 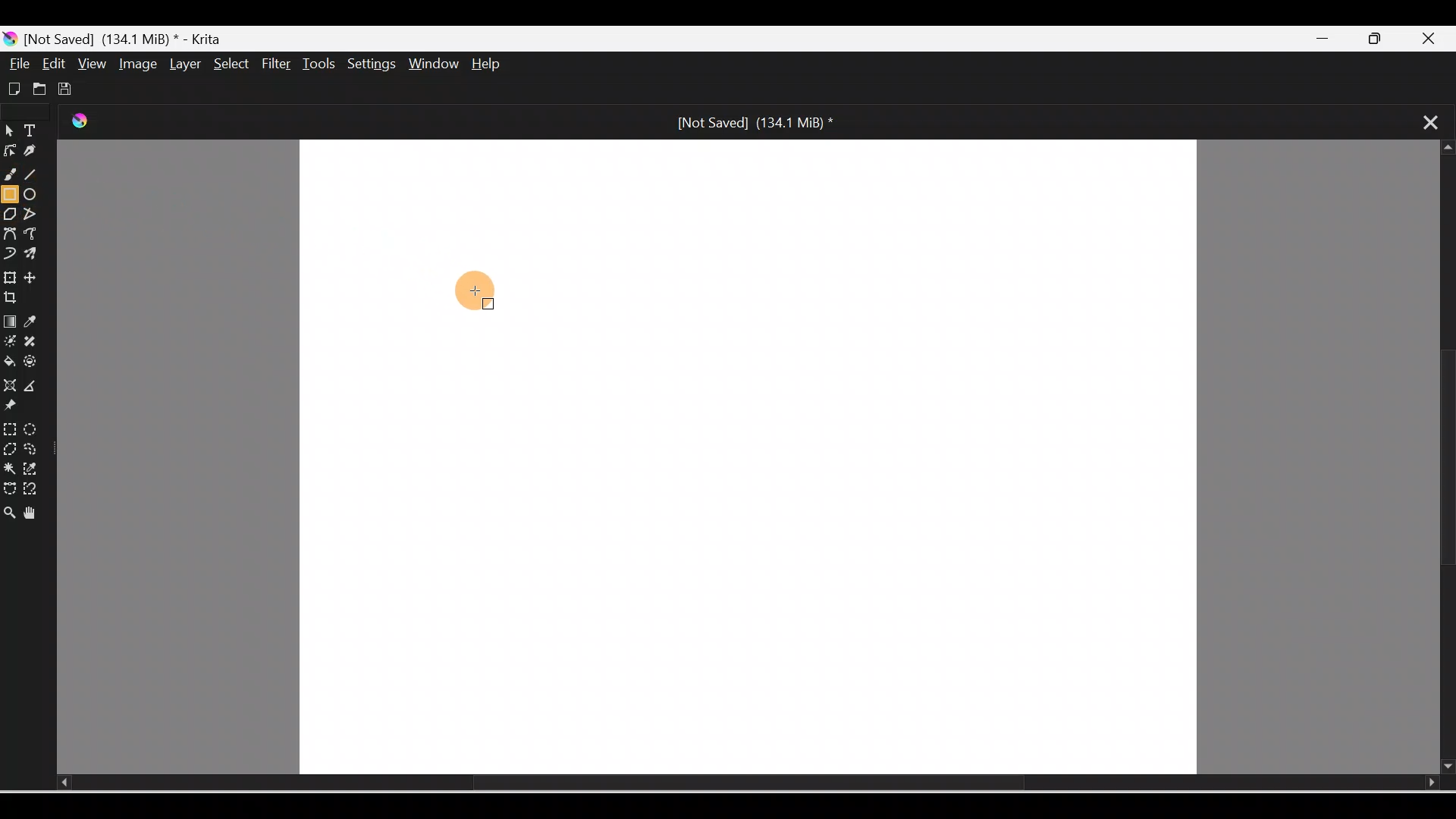 What do you see at coordinates (436, 65) in the screenshot?
I see `Window` at bounding box center [436, 65].